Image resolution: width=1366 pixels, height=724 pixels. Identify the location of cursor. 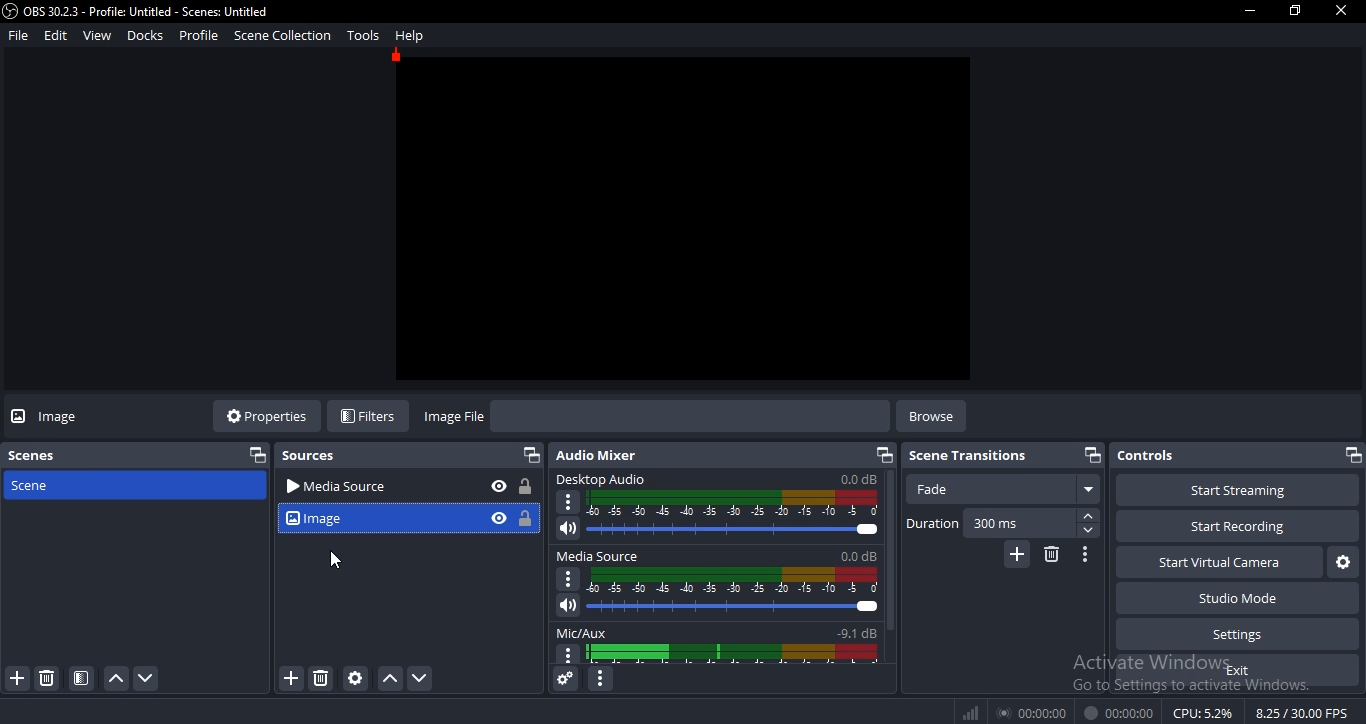
(337, 562).